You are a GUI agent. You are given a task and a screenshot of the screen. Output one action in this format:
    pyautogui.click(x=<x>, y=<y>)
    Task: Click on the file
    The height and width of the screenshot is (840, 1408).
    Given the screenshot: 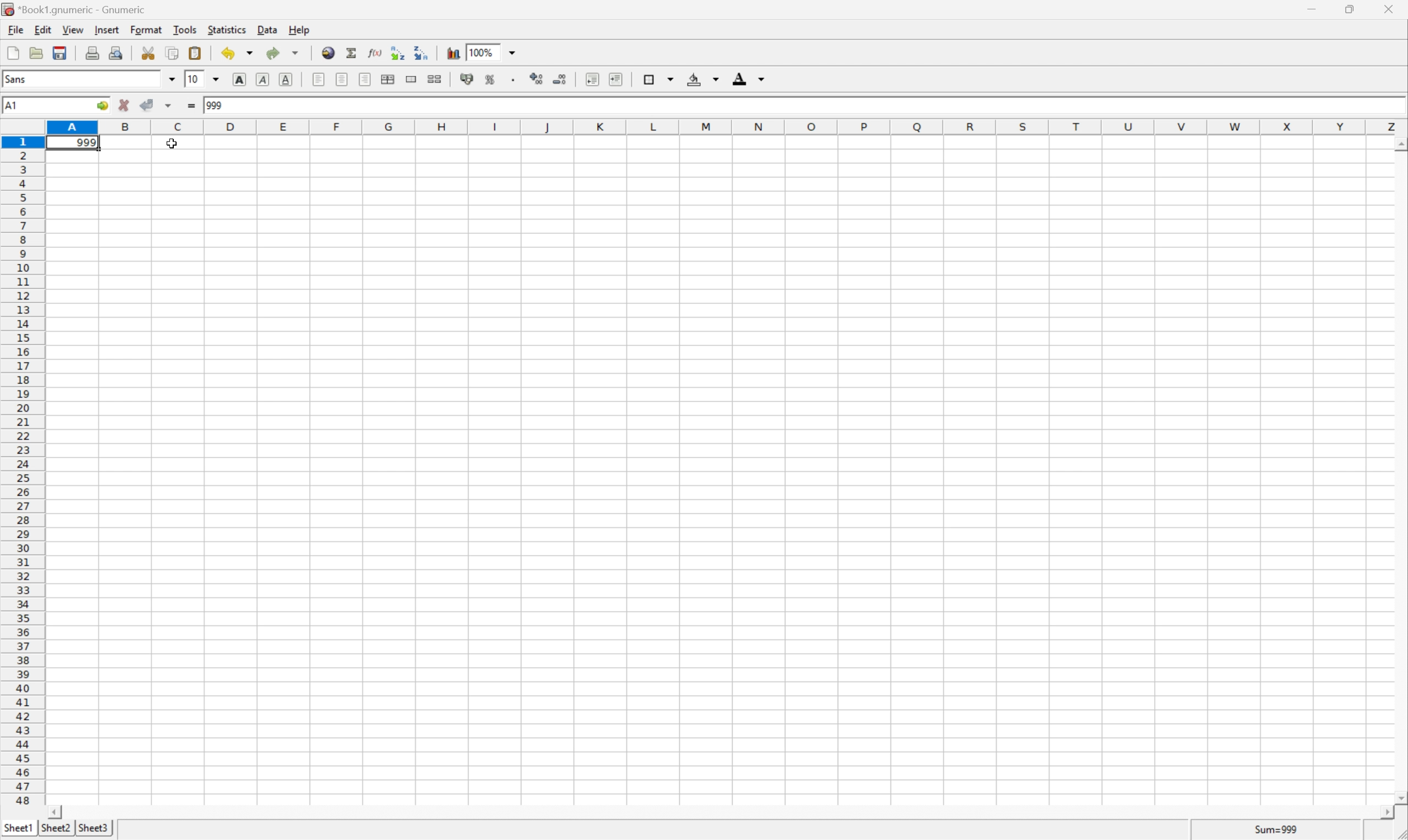 What is the action you would take?
    pyautogui.click(x=14, y=31)
    